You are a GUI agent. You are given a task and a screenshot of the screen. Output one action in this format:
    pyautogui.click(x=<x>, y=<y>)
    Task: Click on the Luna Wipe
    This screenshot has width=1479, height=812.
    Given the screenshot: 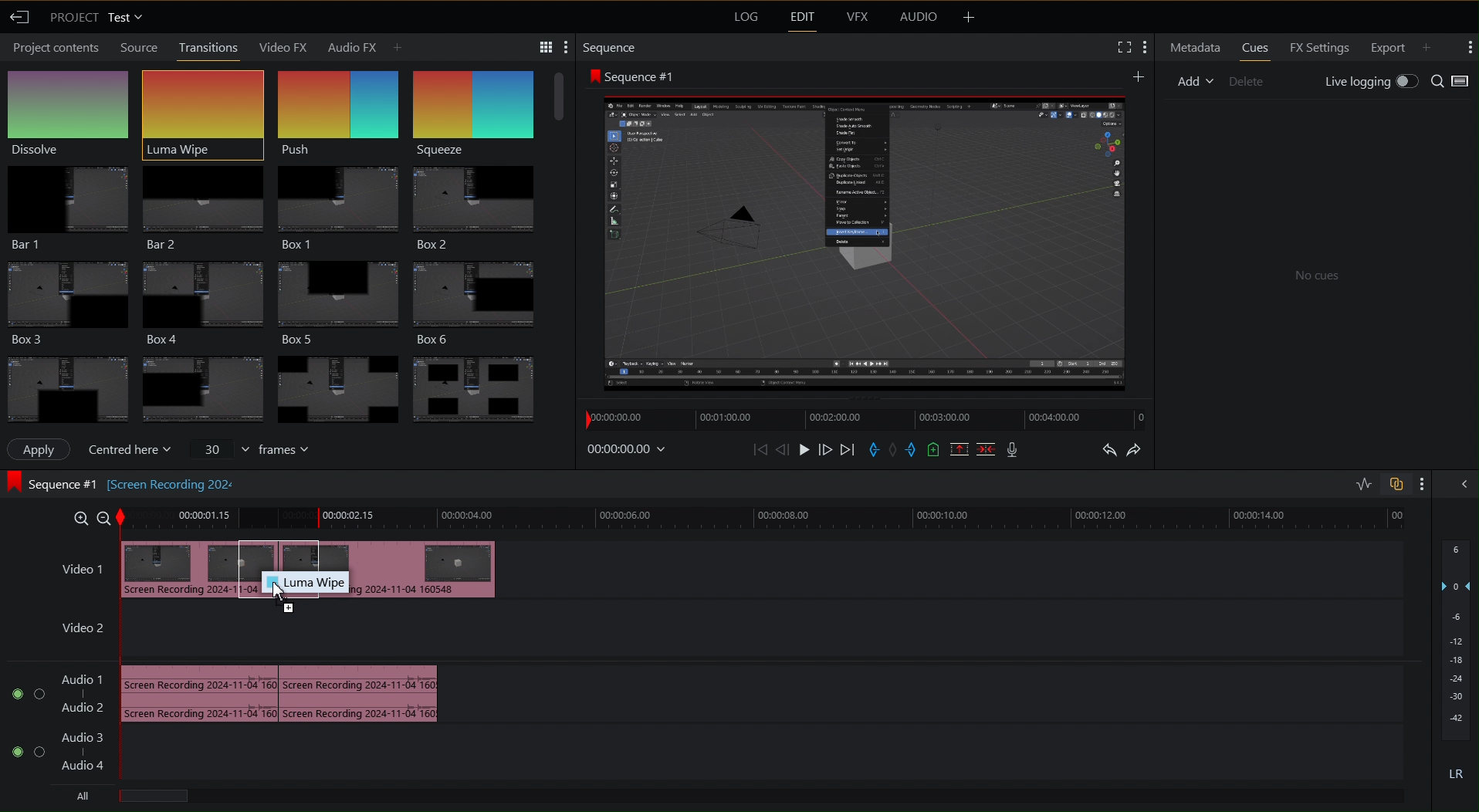 What is the action you would take?
    pyautogui.click(x=201, y=107)
    